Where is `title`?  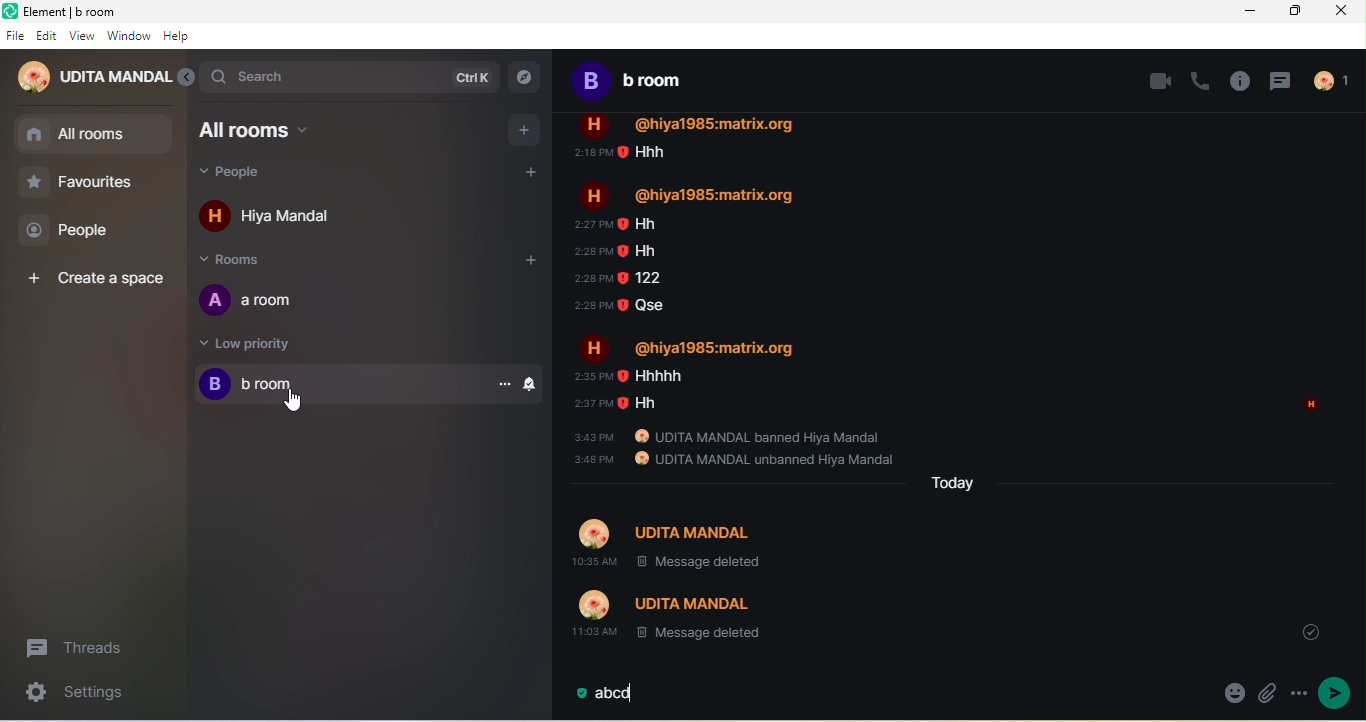 title is located at coordinates (100, 13).